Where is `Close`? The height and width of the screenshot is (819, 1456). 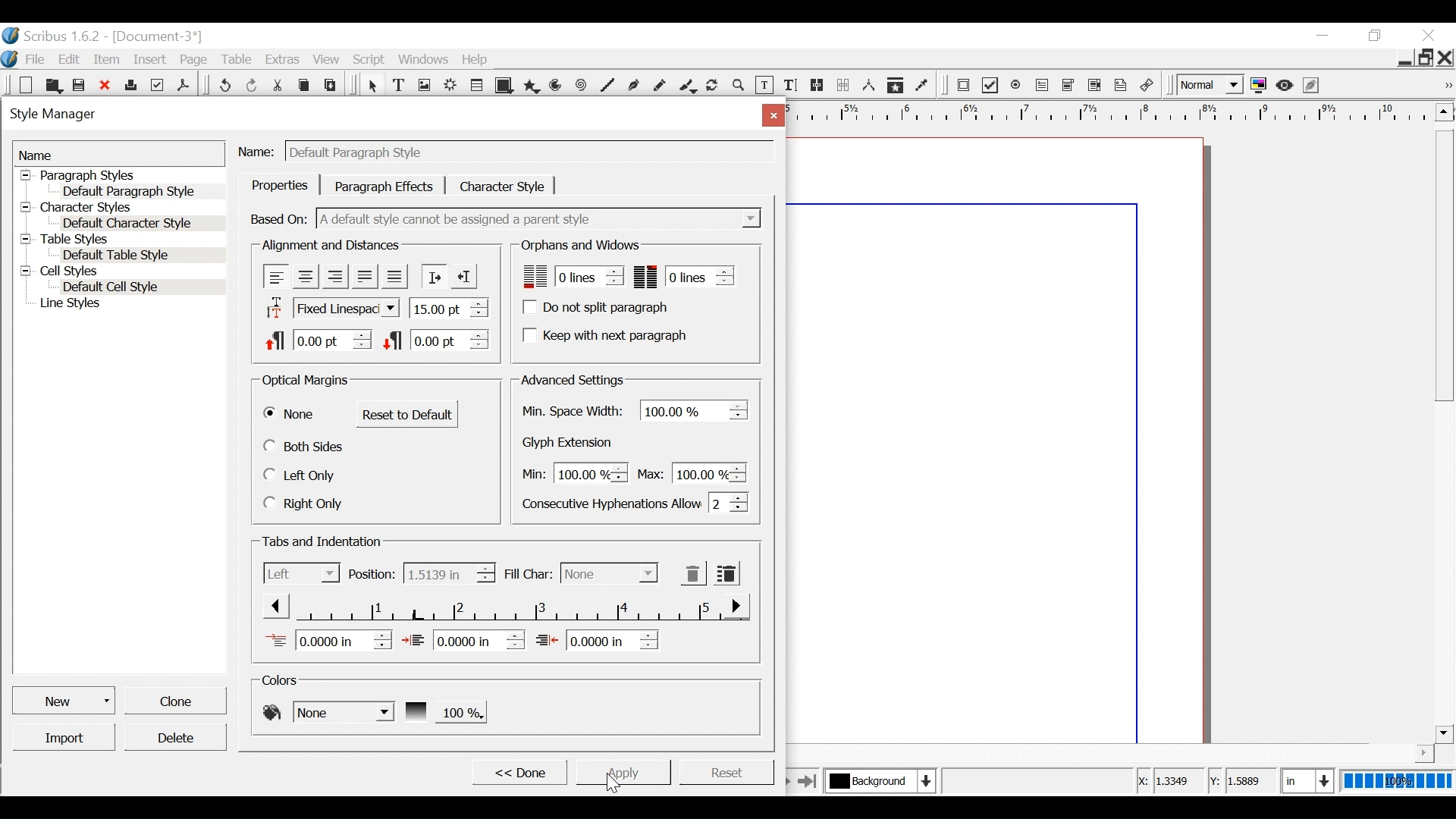
Close is located at coordinates (1431, 36).